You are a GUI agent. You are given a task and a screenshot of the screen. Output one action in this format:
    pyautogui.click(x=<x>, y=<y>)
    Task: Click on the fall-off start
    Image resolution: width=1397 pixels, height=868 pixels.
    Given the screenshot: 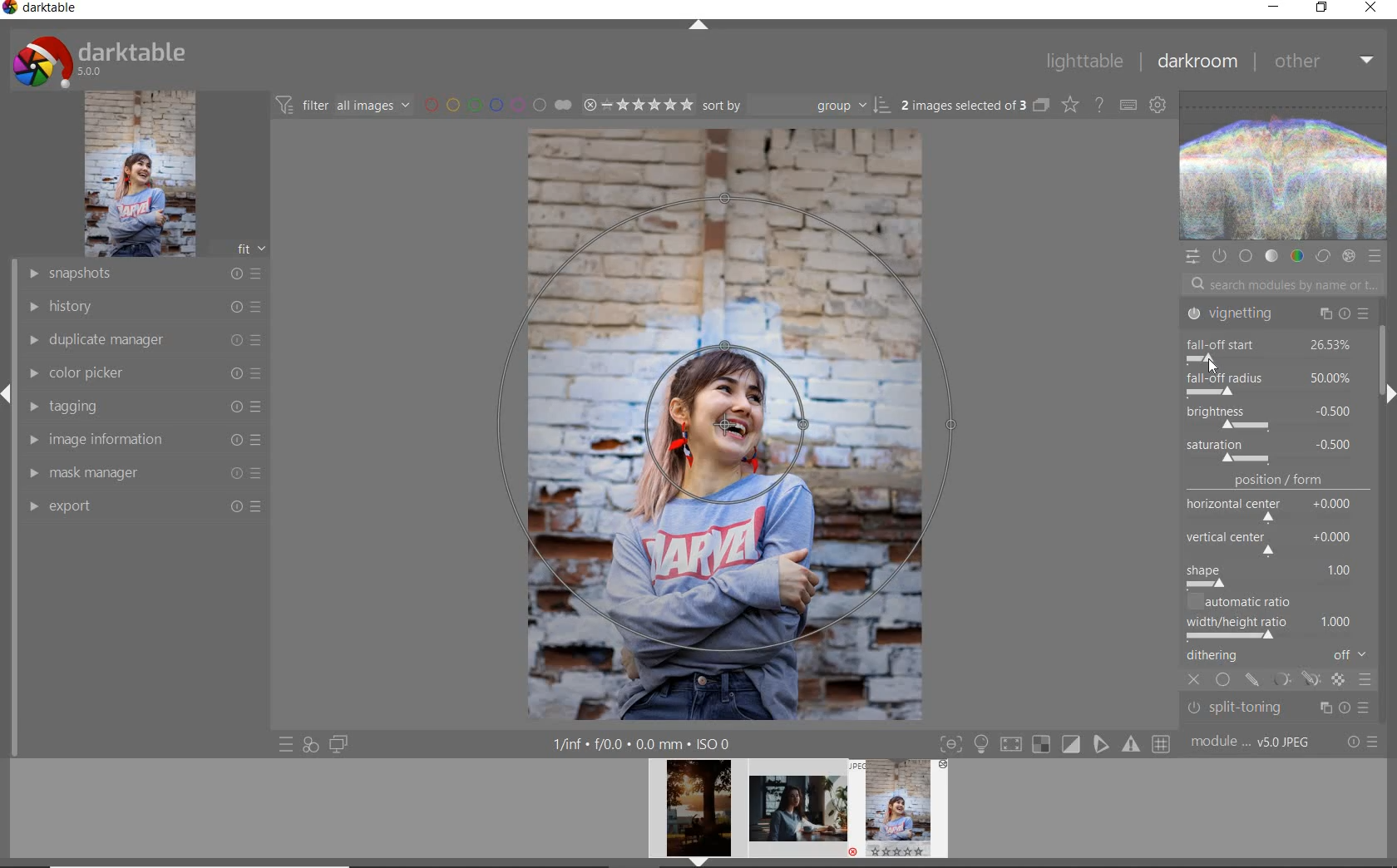 What is the action you would take?
    pyautogui.click(x=1273, y=348)
    